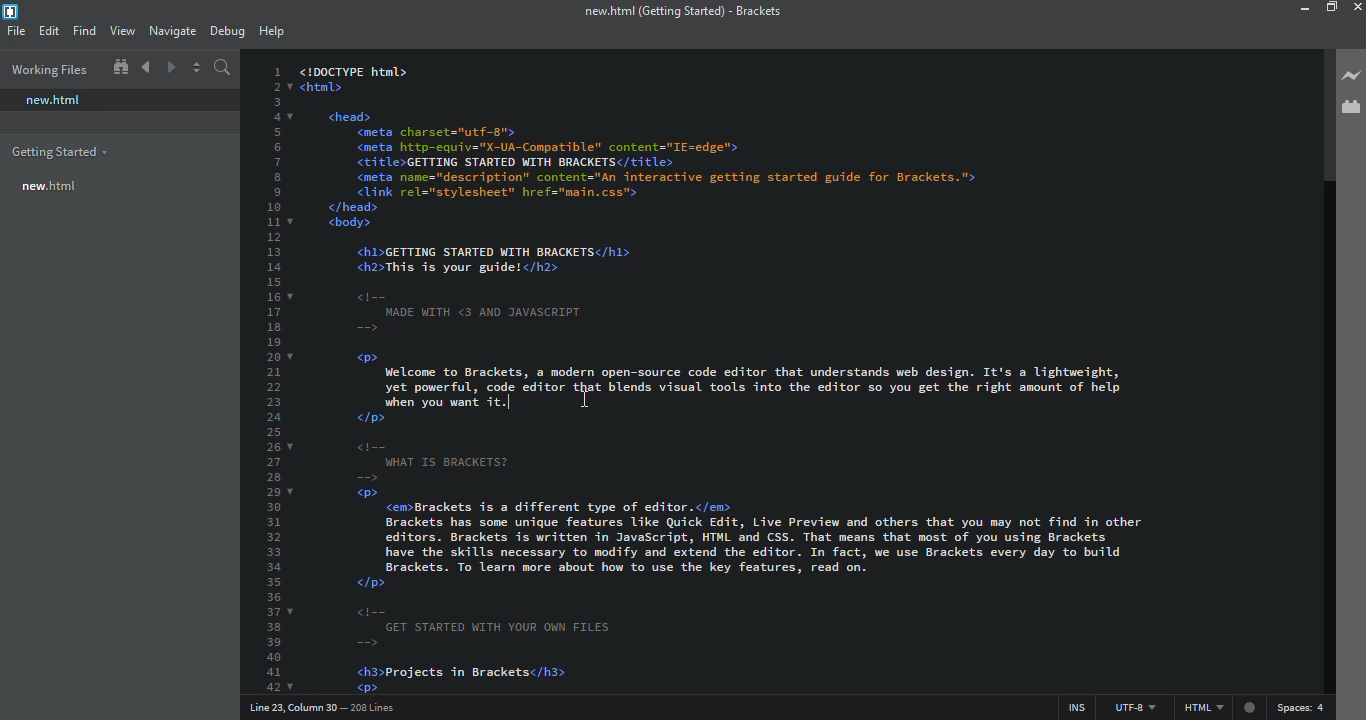 The height and width of the screenshot is (720, 1366). Describe the element at coordinates (64, 152) in the screenshot. I see `getting started` at that location.